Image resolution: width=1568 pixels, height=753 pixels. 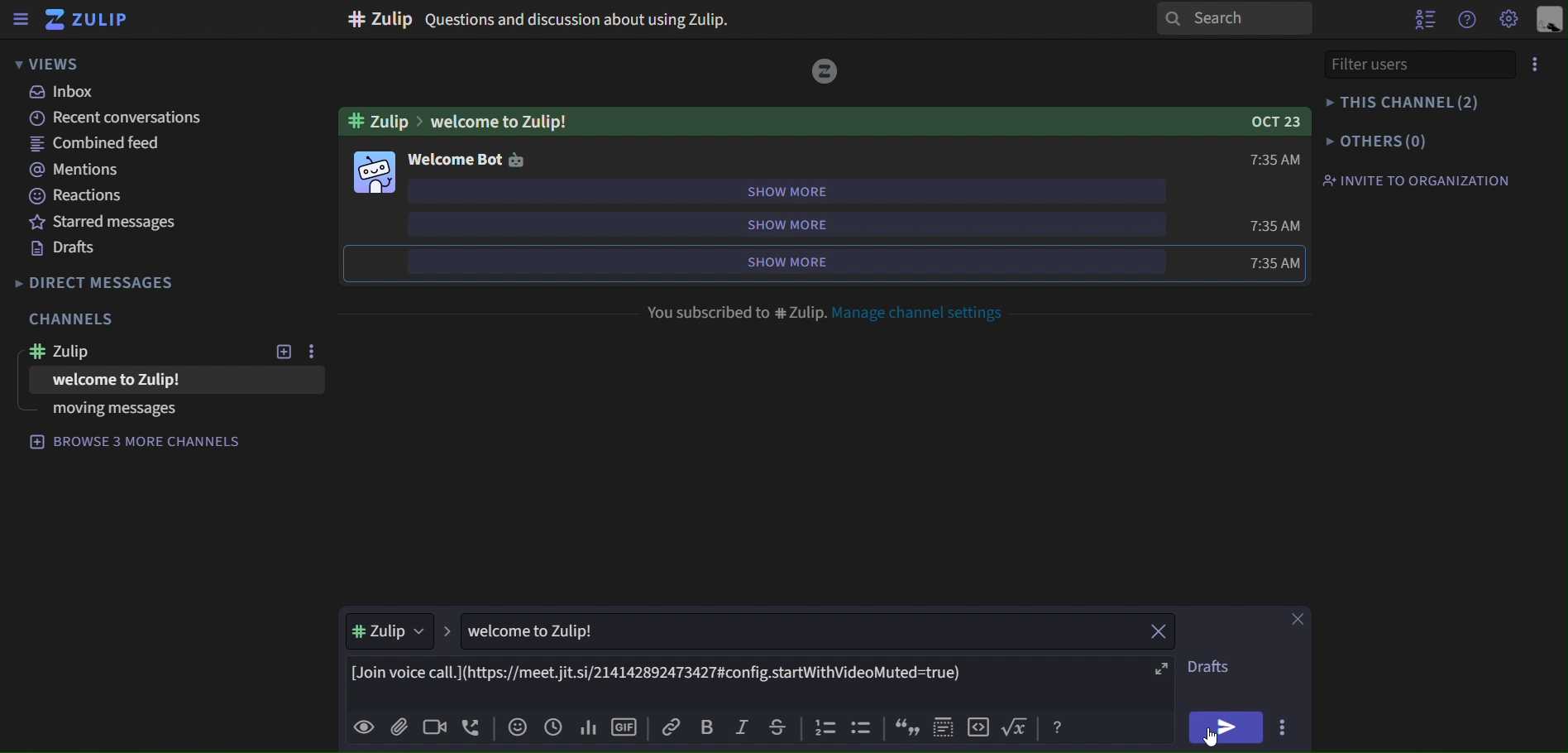 What do you see at coordinates (138, 381) in the screenshot?
I see `welcome to Zulip!` at bounding box center [138, 381].